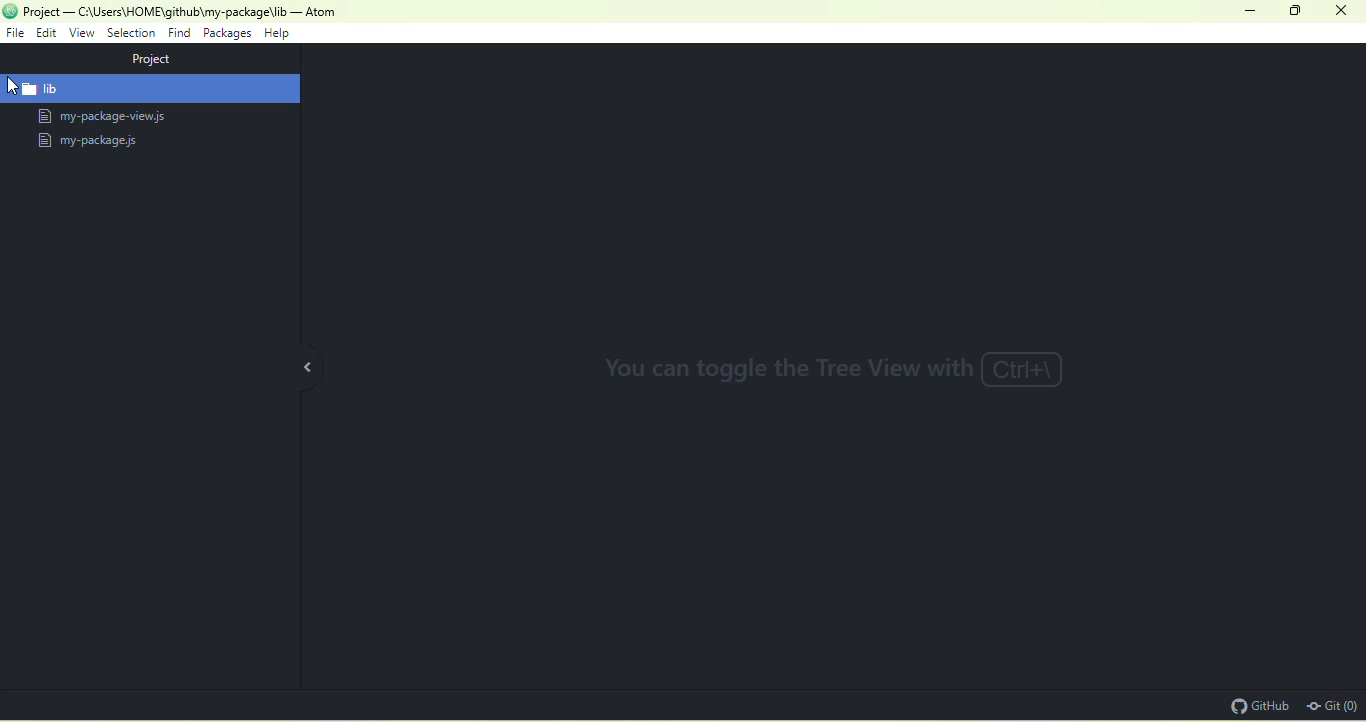  Describe the element at coordinates (314, 12) in the screenshot. I see `- Atom` at that location.